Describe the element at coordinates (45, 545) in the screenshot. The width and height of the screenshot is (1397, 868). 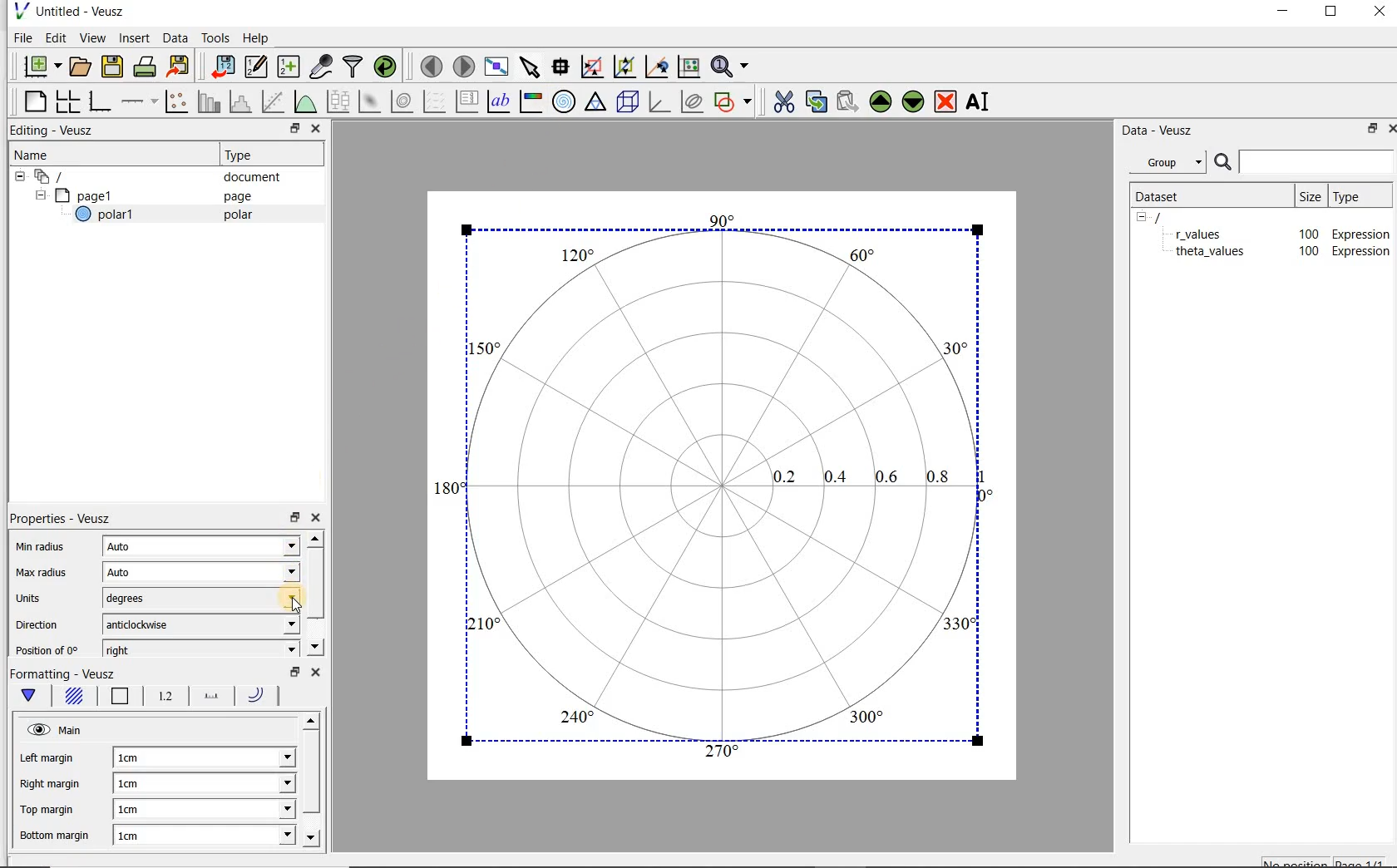
I see `Min radius` at that location.